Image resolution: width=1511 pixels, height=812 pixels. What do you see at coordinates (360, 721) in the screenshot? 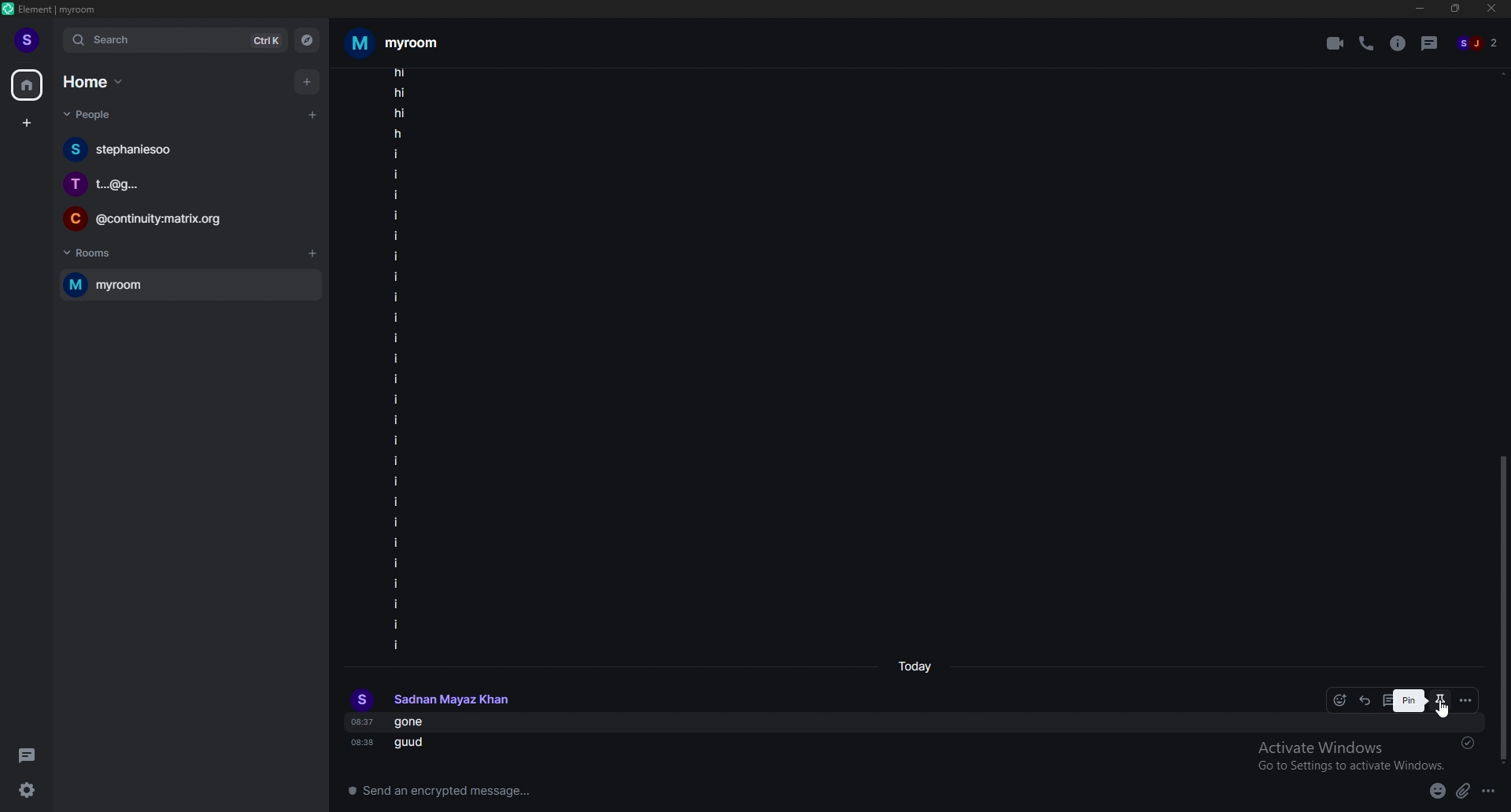
I see `time` at bounding box center [360, 721].